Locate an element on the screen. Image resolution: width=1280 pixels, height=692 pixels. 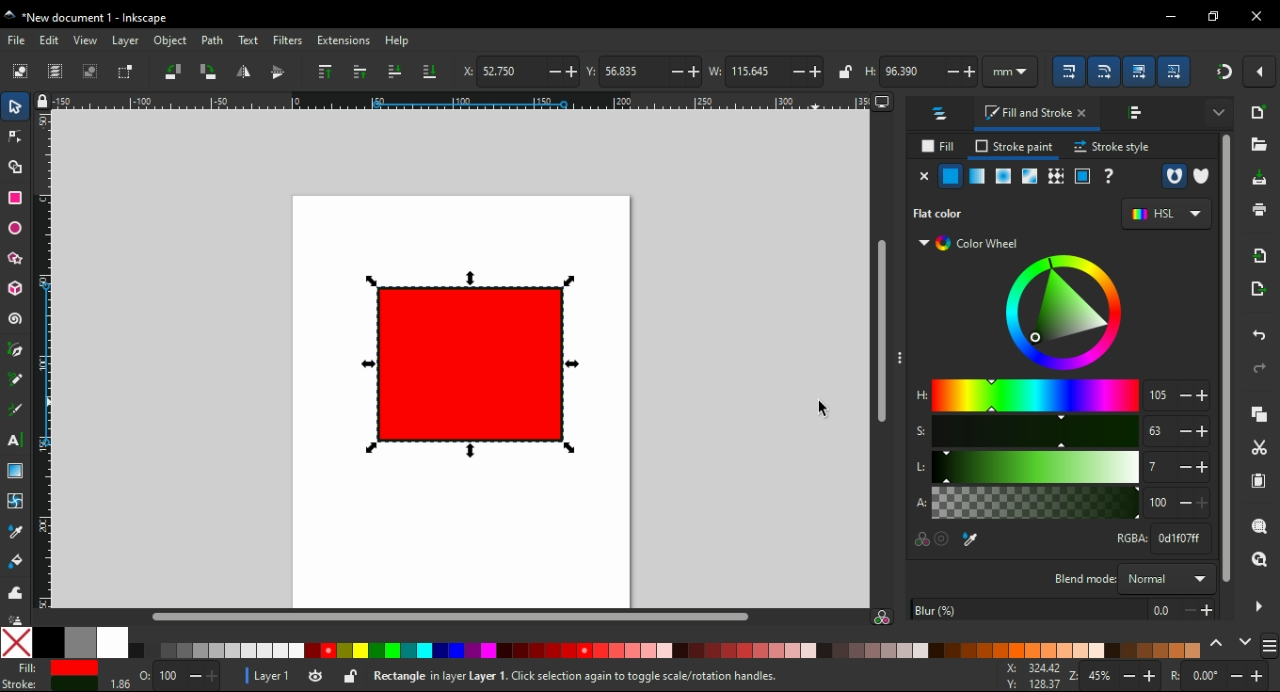
more settings is located at coordinates (1219, 110).